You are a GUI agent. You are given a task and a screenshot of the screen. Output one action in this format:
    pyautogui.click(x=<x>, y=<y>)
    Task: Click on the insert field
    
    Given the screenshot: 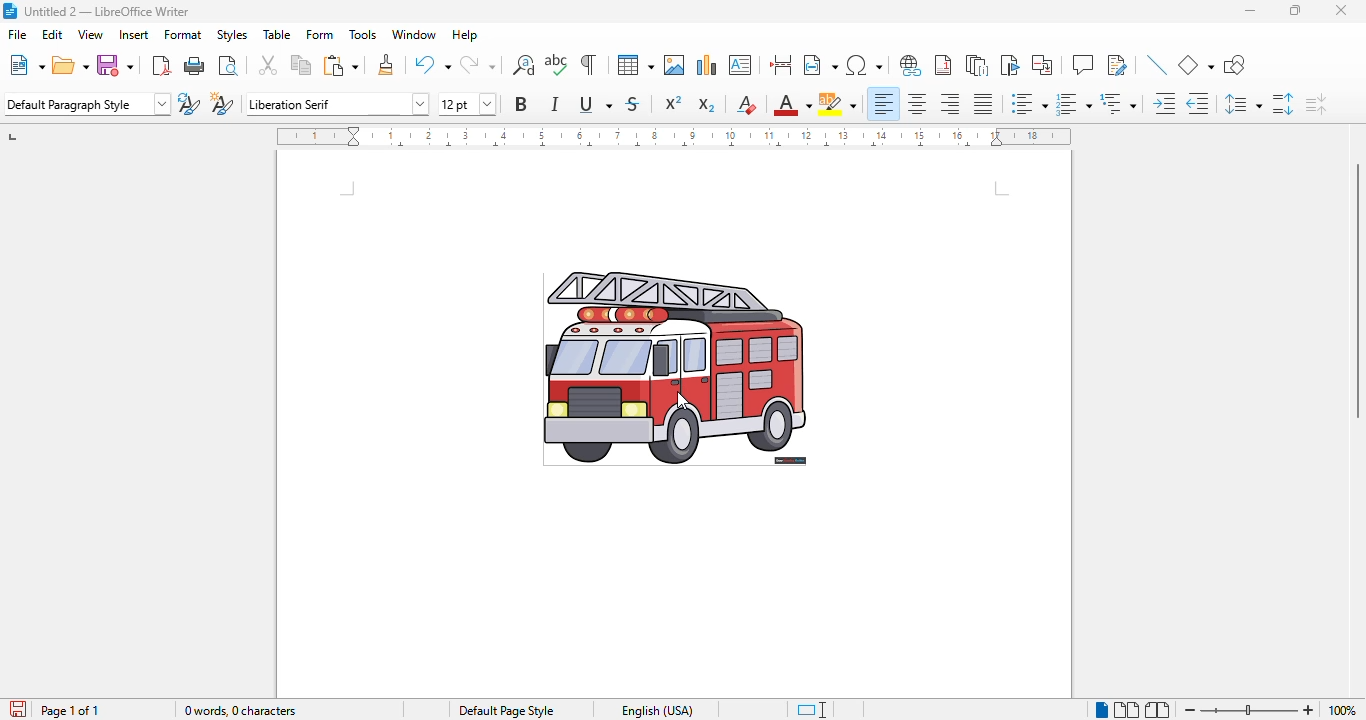 What is the action you would take?
    pyautogui.click(x=820, y=64)
    